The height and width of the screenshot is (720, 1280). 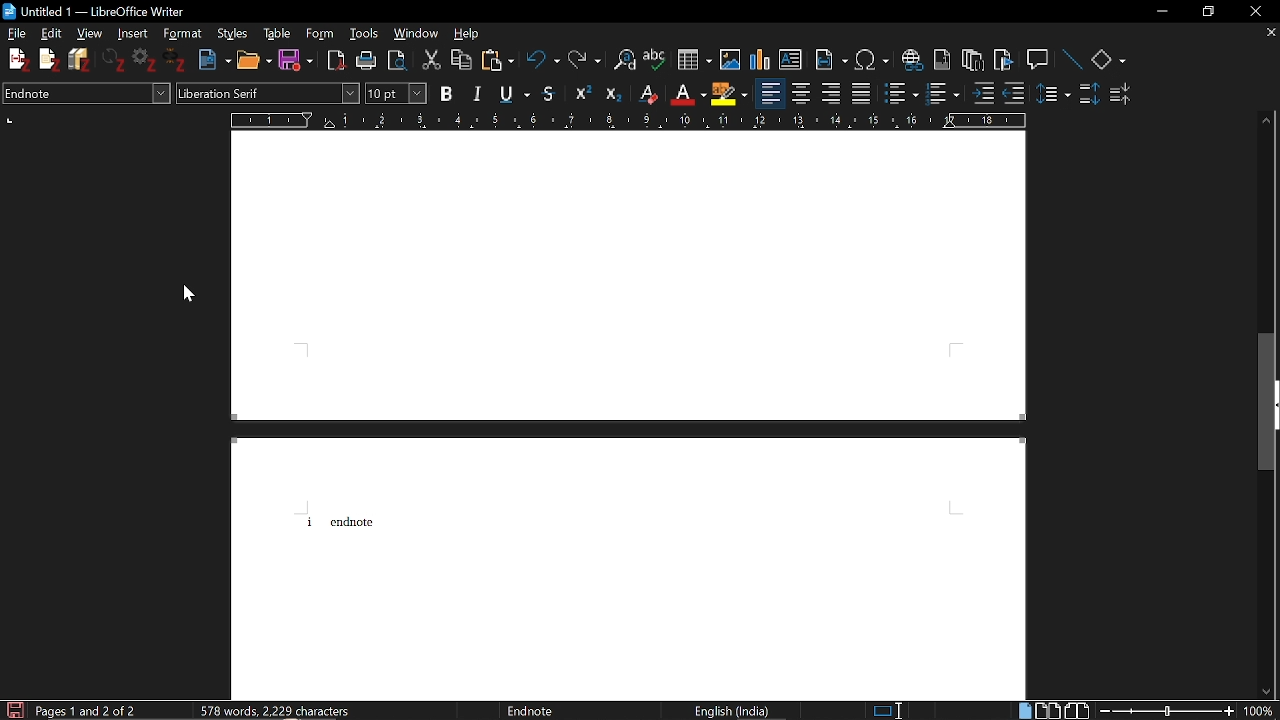 I want to click on Insert, so click(x=130, y=33).